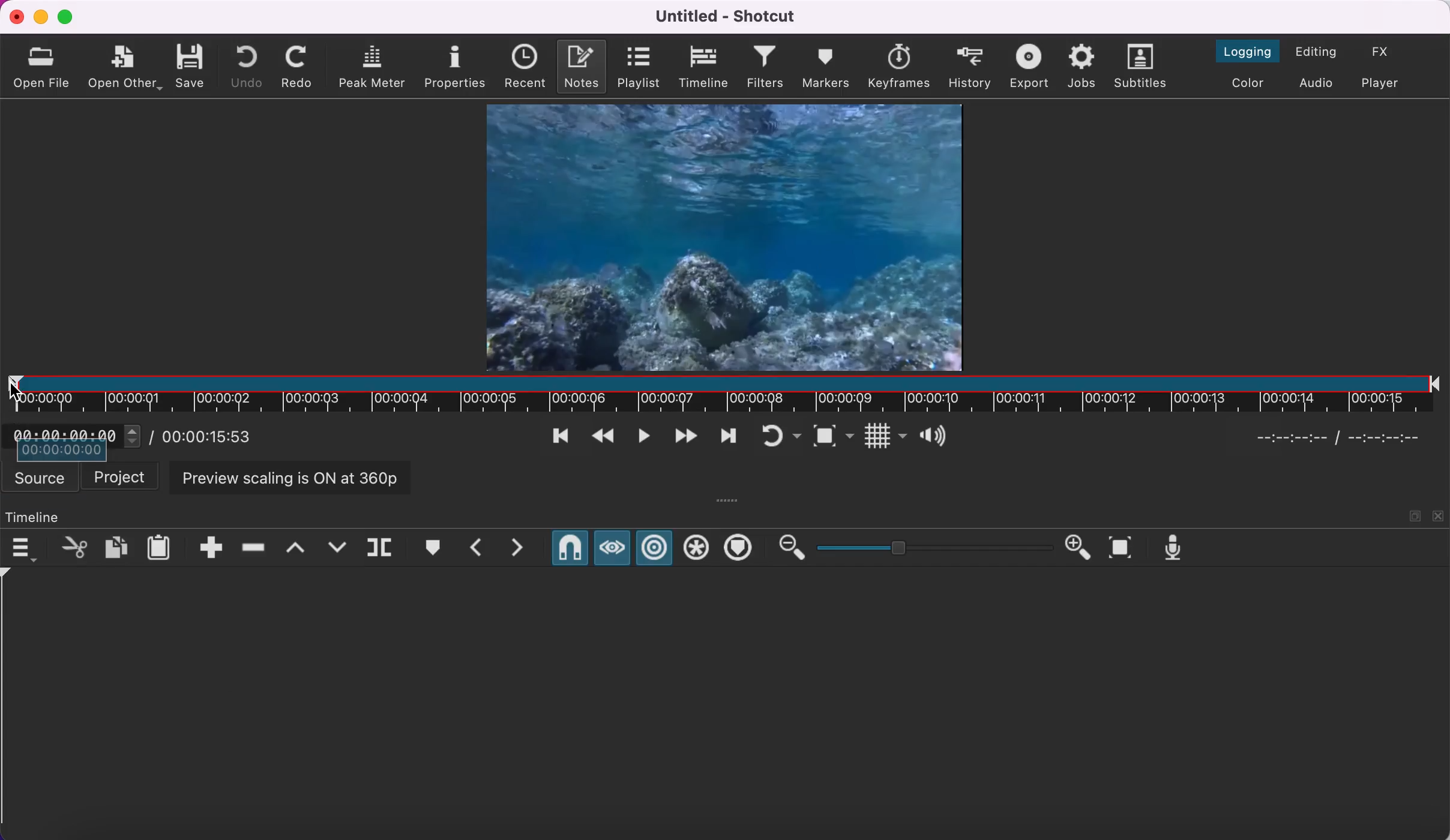  Describe the element at coordinates (1320, 51) in the screenshot. I see `switch to the editing layout` at that location.